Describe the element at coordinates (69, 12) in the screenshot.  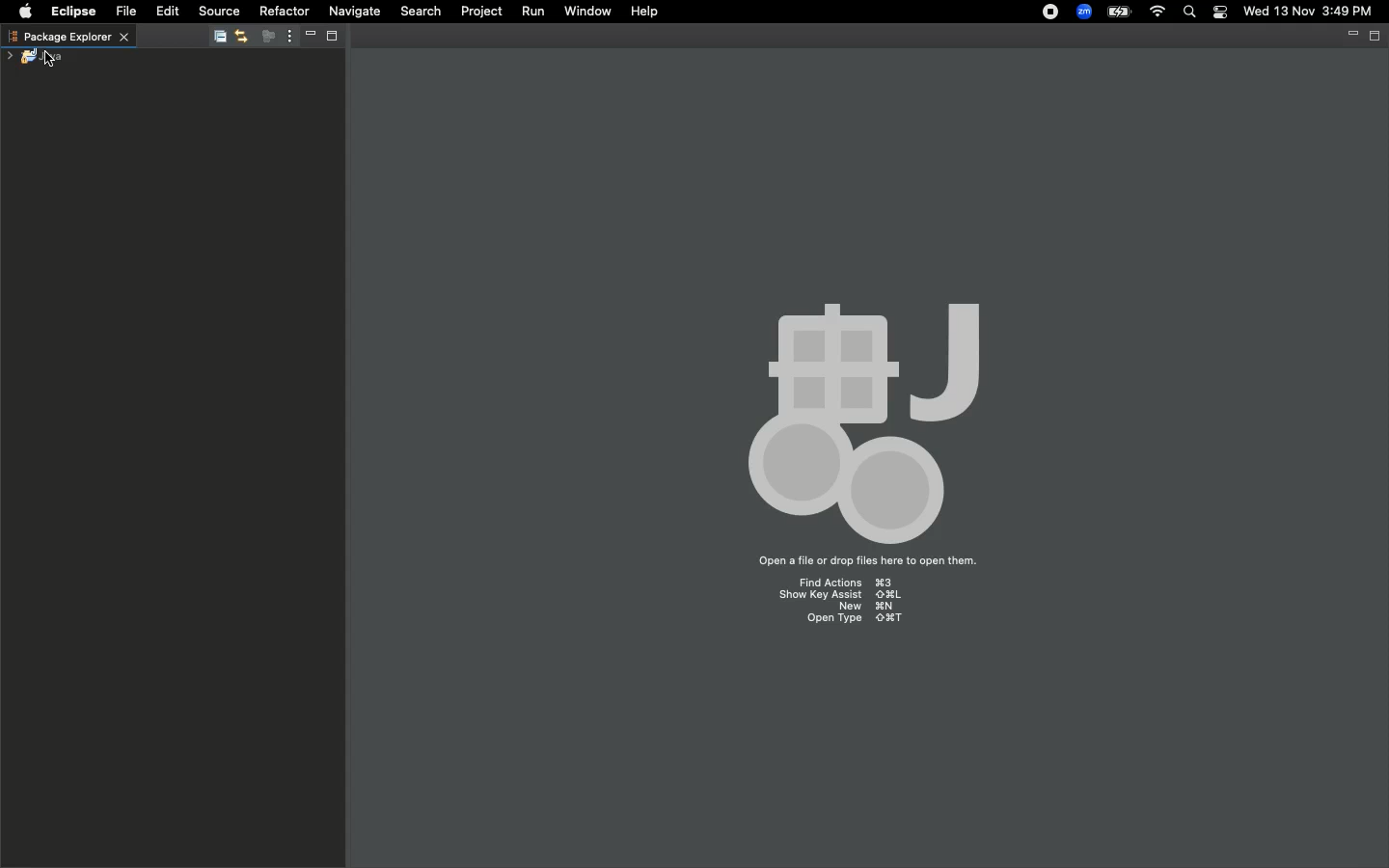
I see `Eclipse` at that location.